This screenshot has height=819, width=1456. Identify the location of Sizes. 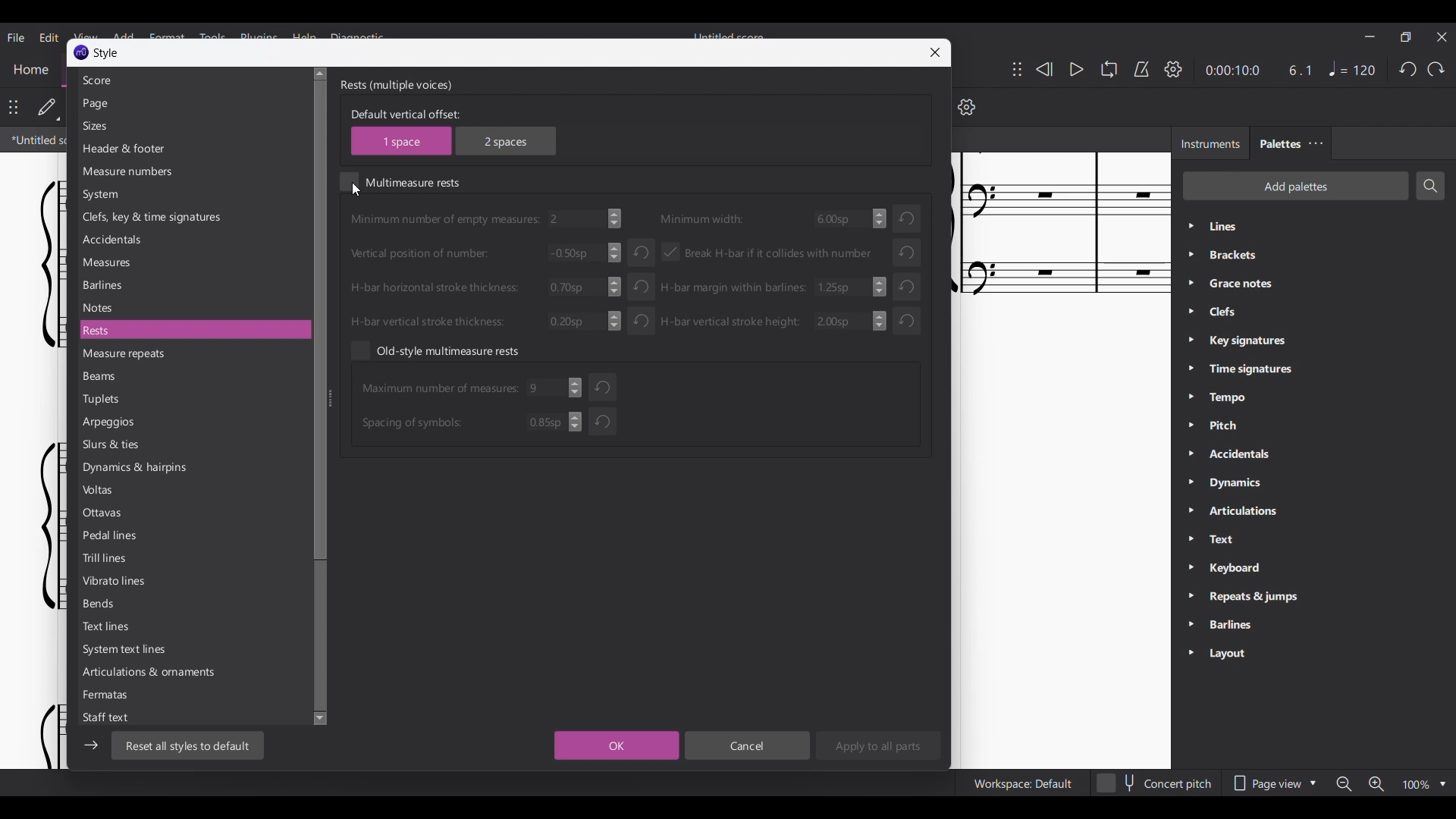
(193, 126).